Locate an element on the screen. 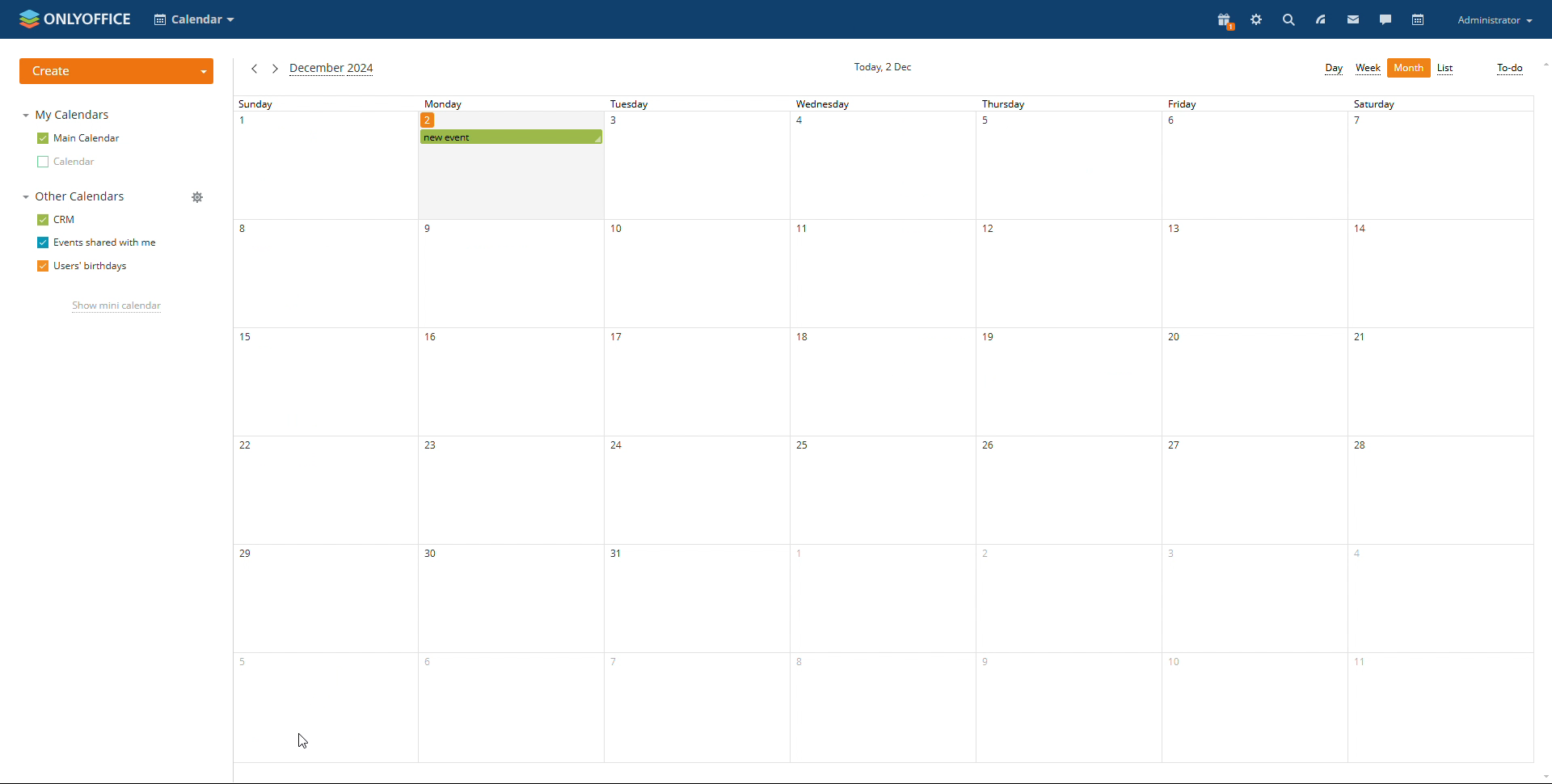 This screenshot has width=1552, height=784. manage is located at coordinates (197, 197).